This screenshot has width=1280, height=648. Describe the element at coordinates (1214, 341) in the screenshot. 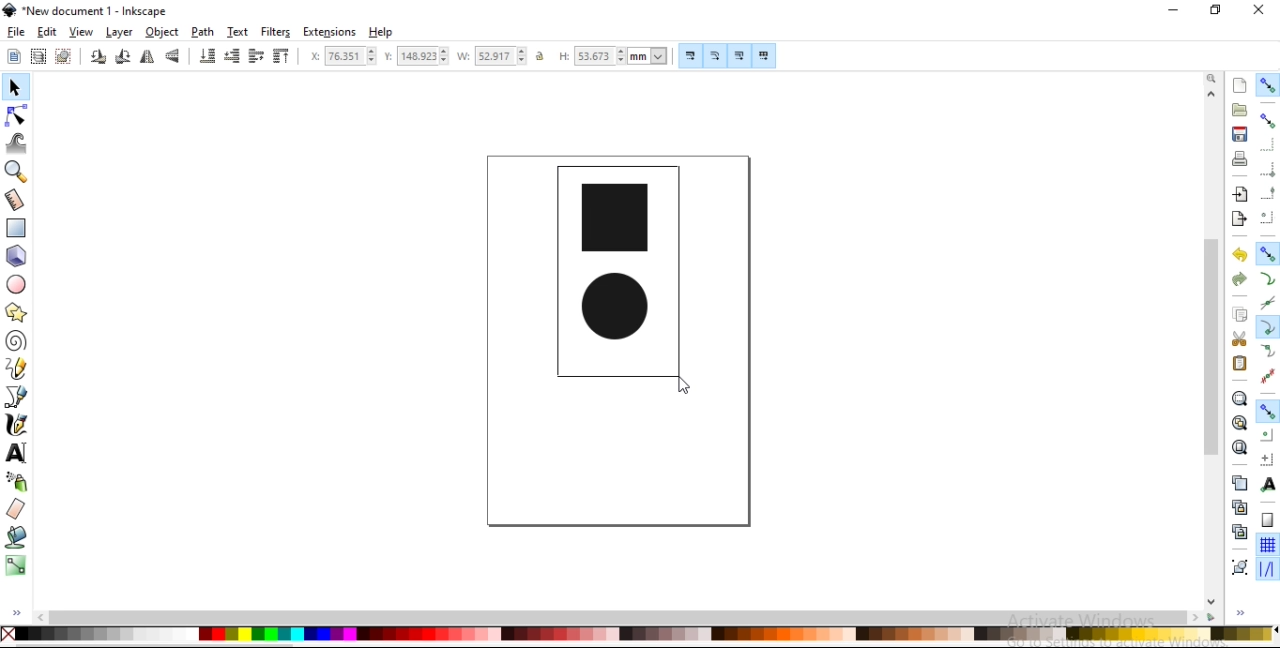

I see `scrollbar` at that location.